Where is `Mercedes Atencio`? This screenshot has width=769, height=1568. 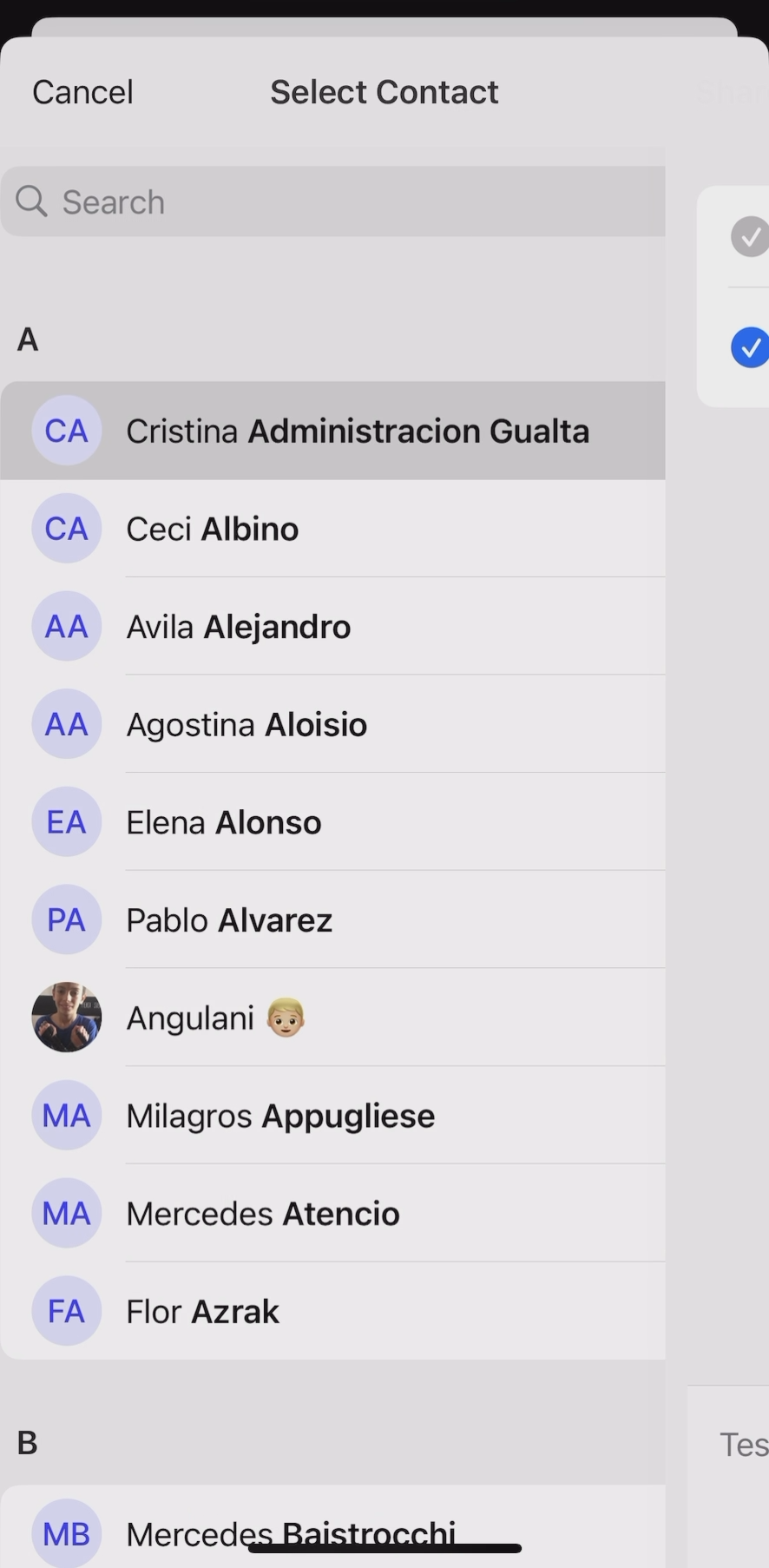
Mercedes Atencio is located at coordinates (215, 1205).